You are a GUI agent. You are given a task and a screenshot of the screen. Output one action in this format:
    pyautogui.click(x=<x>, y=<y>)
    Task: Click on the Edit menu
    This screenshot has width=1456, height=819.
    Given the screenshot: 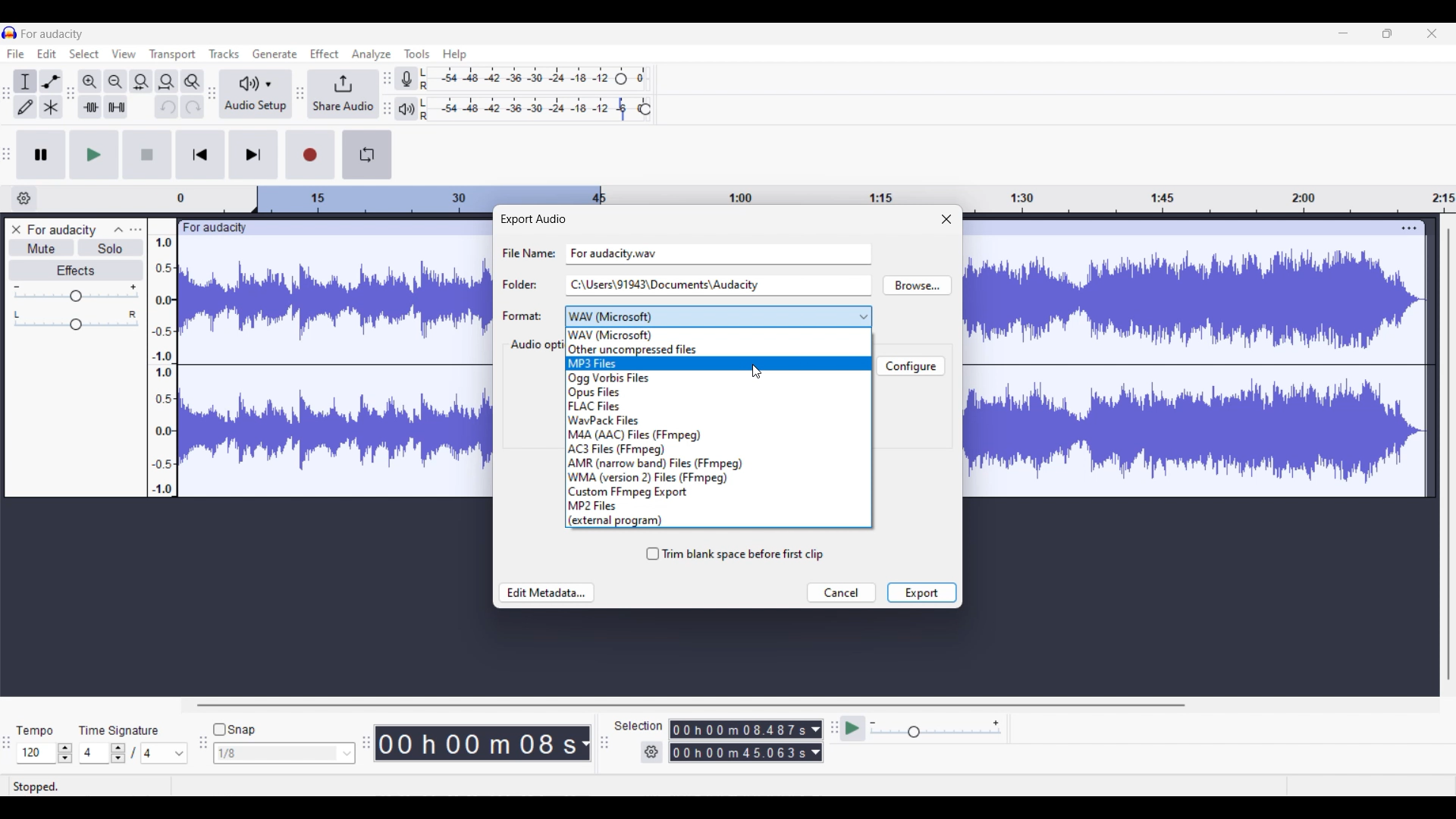 What is the action you would take?
    pyautogui.click(x=46, y=54)
    